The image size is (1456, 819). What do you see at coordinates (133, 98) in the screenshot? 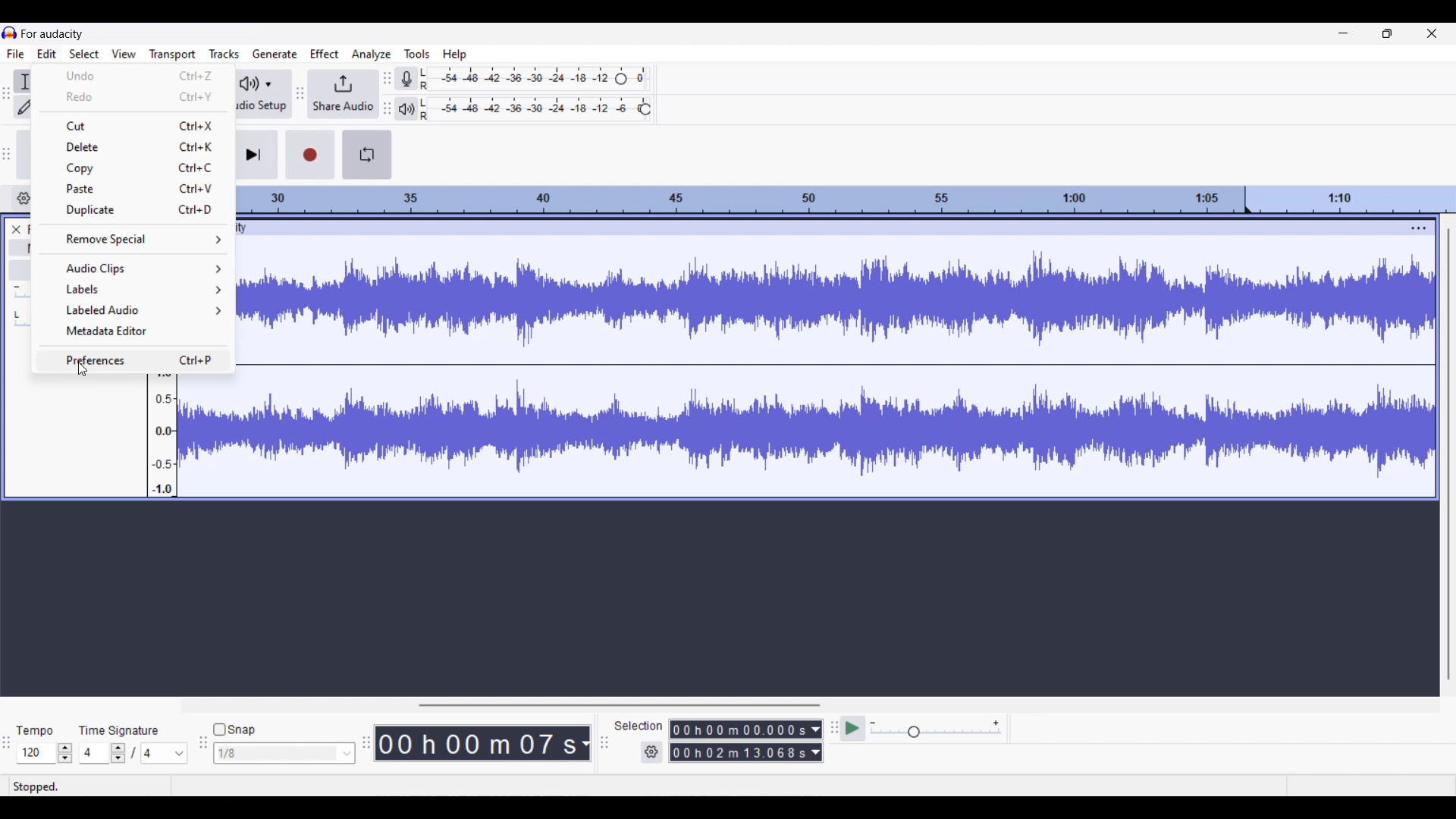
I see `Redo` at bounding box center [133, 98].